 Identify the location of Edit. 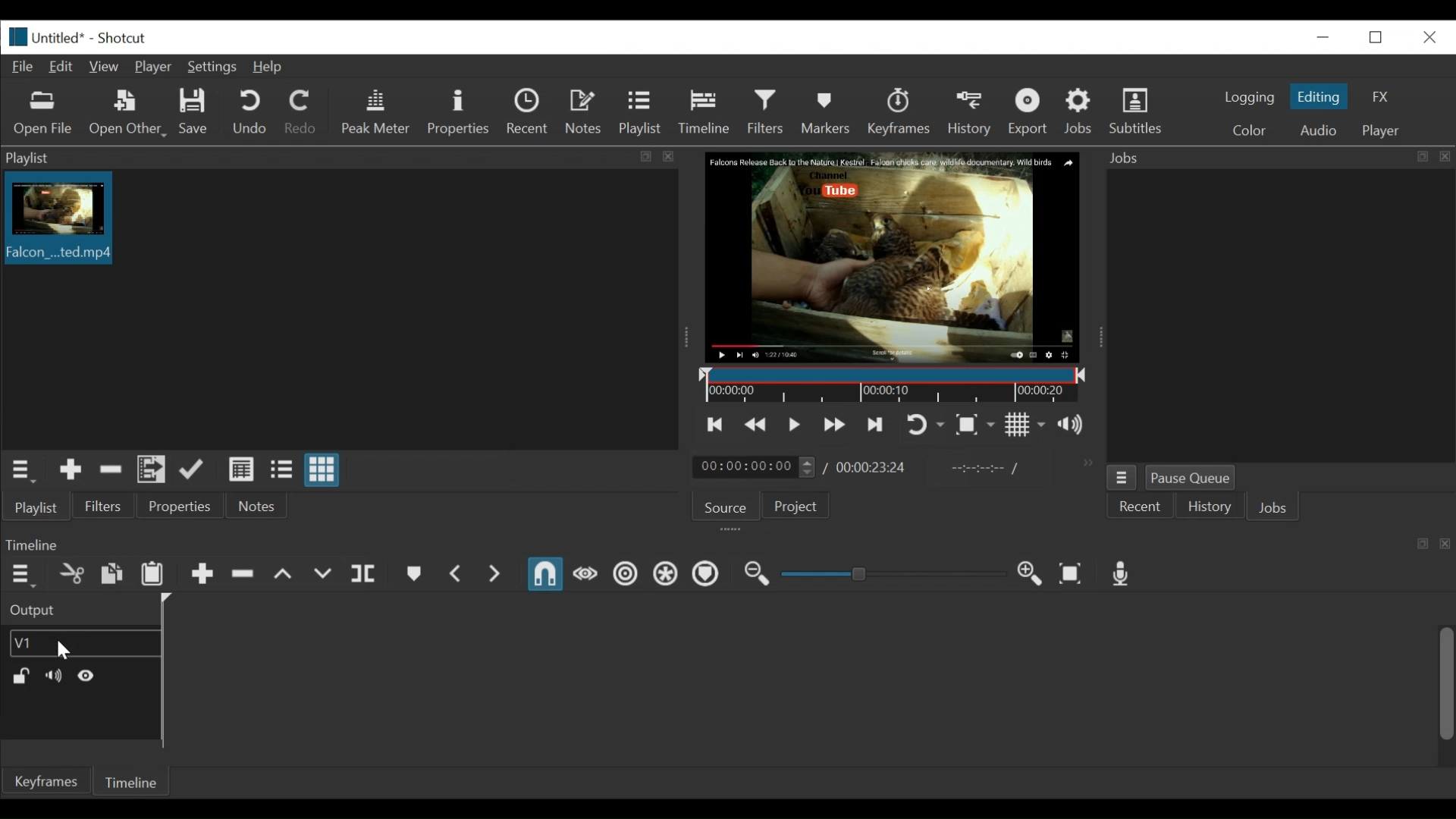
(63, 67).